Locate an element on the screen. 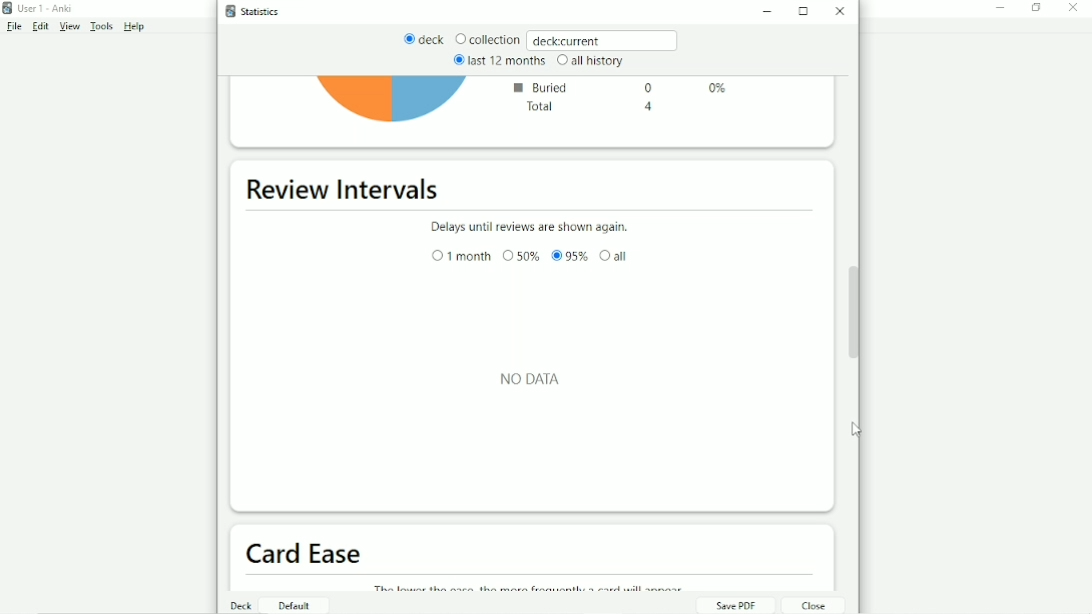  Deck is located at coordinates (242, 605).